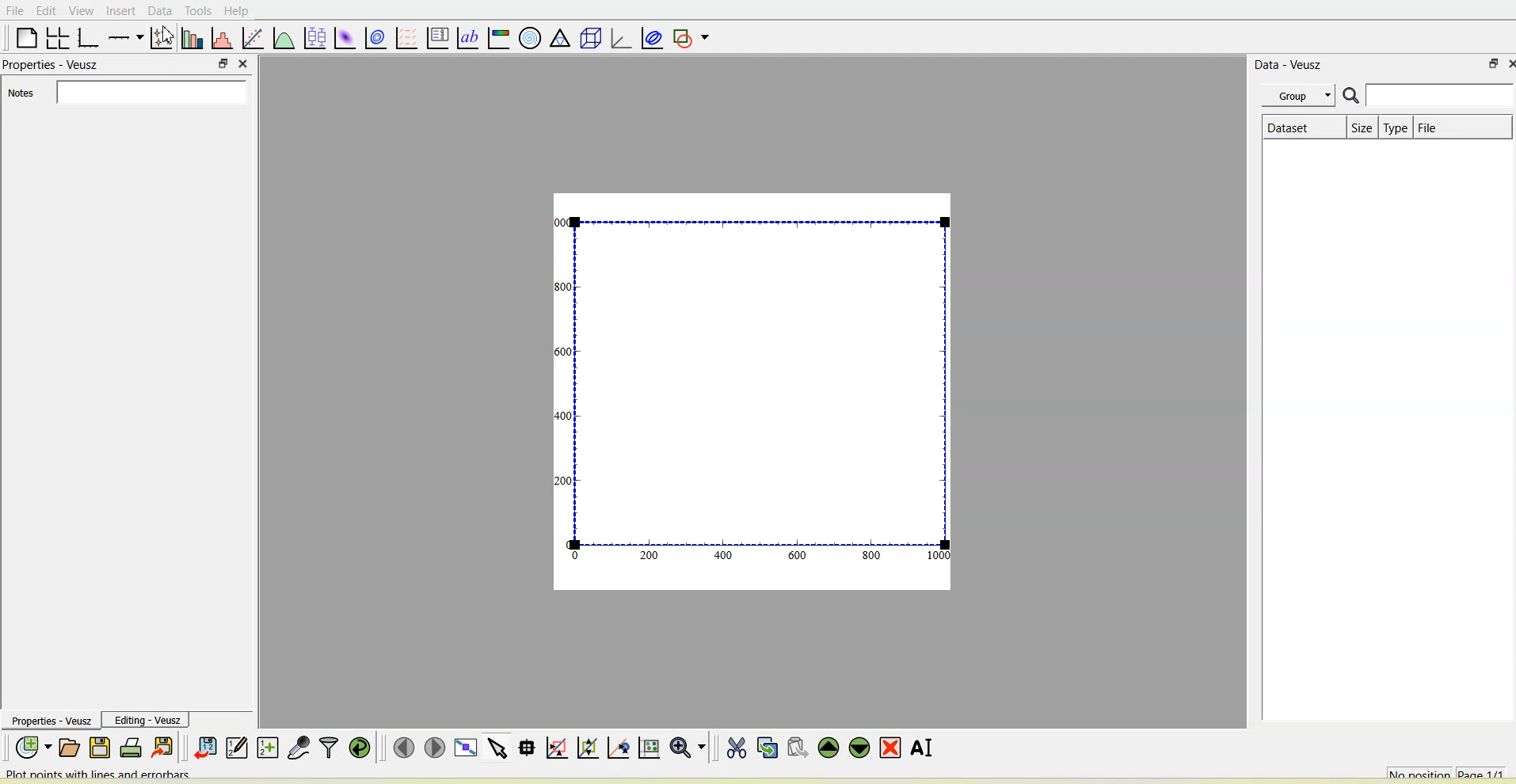 The height and width of the screenshot is (784, 1516). Describe the element at coordinates (689, 36) in the screenshot. I see `Add a shape to the plot` at that location.